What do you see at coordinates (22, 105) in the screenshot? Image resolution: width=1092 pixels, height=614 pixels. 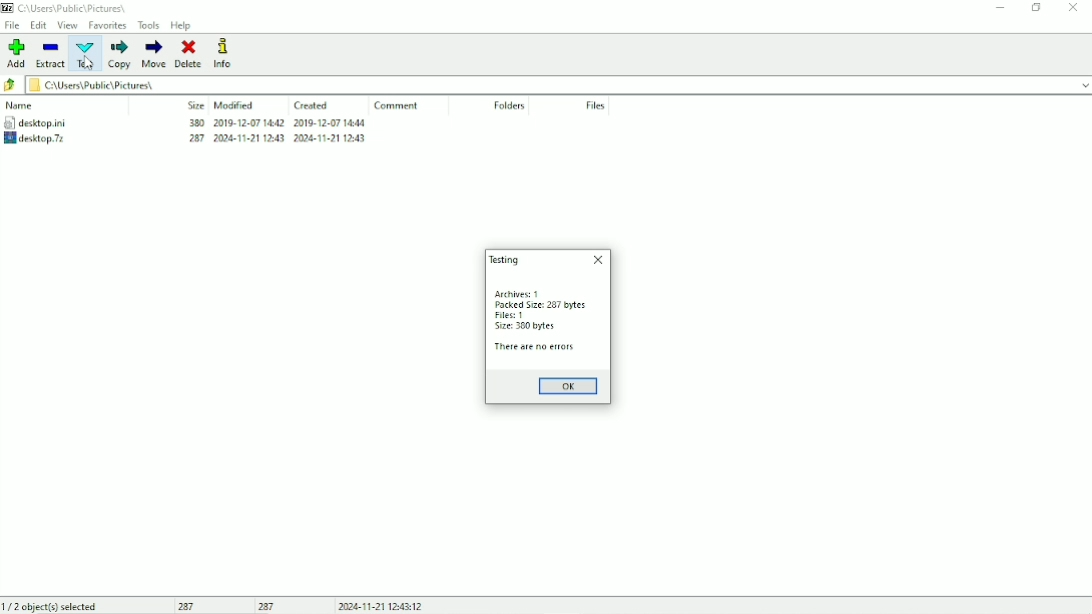 I see `Name` at bounding box center [22, 105].